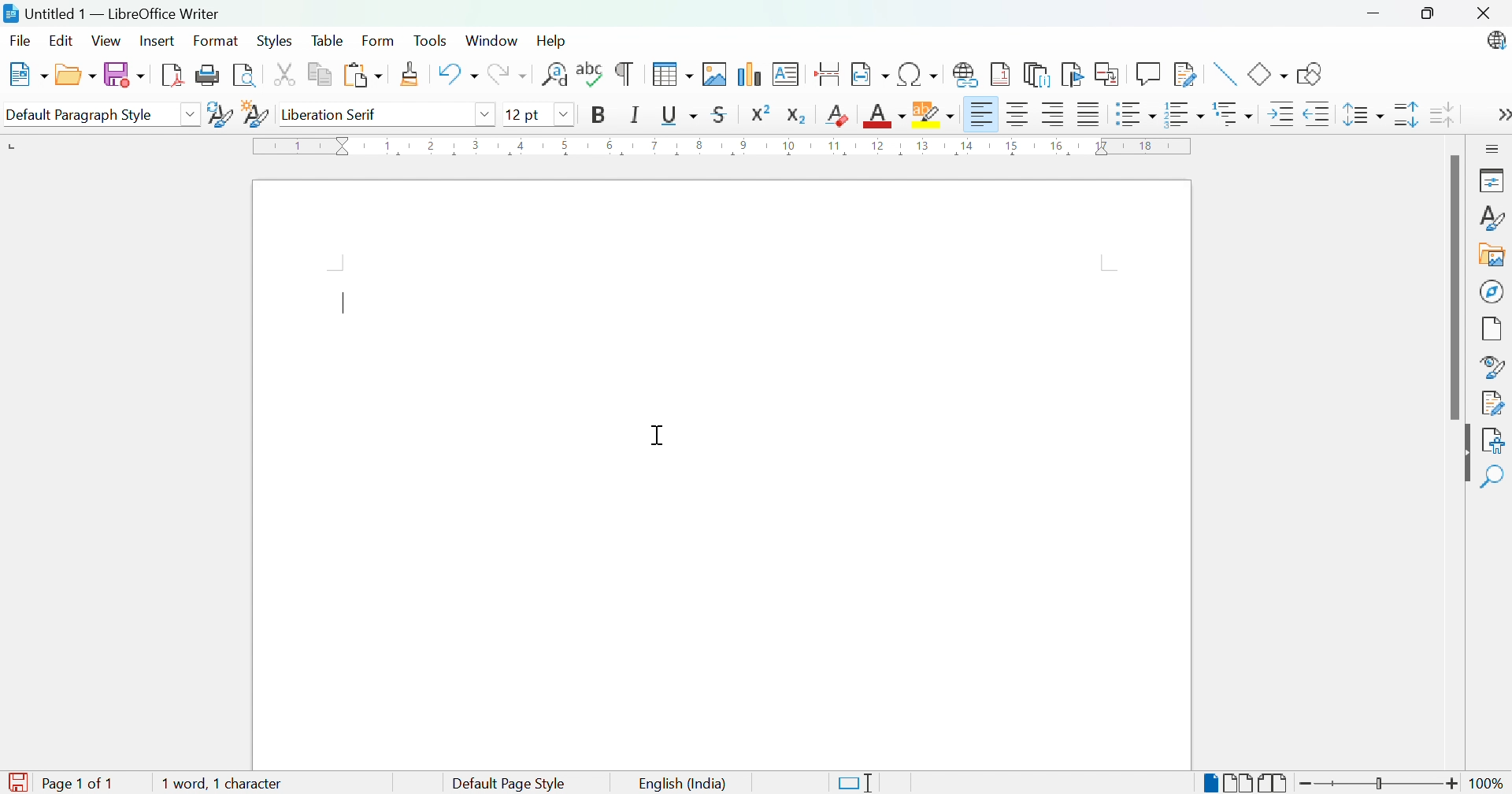  I want to click on Sidebar settings, so click(1495, 149).